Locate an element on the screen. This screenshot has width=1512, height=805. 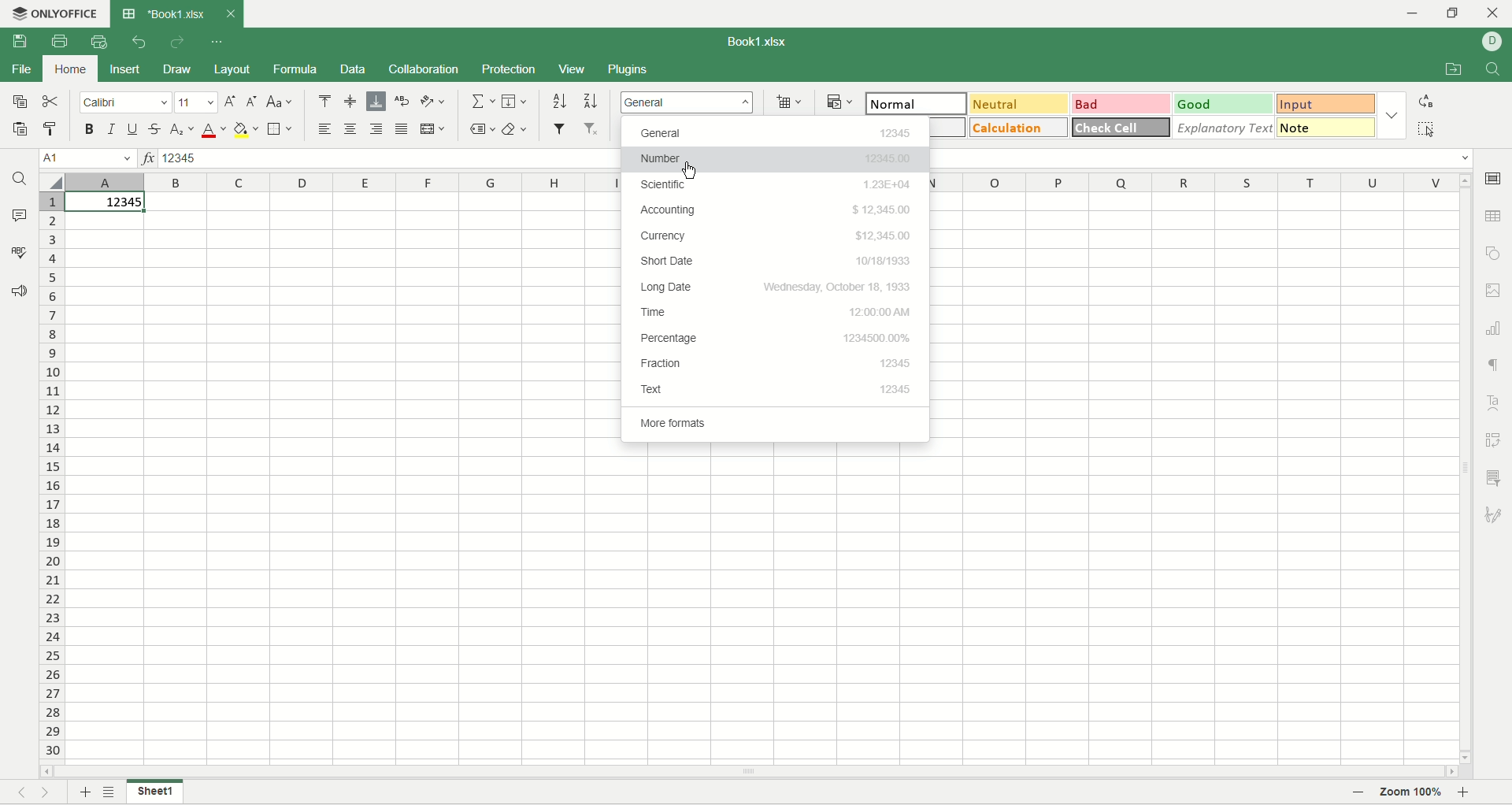
neutral is located at coordinates (1021, 104).